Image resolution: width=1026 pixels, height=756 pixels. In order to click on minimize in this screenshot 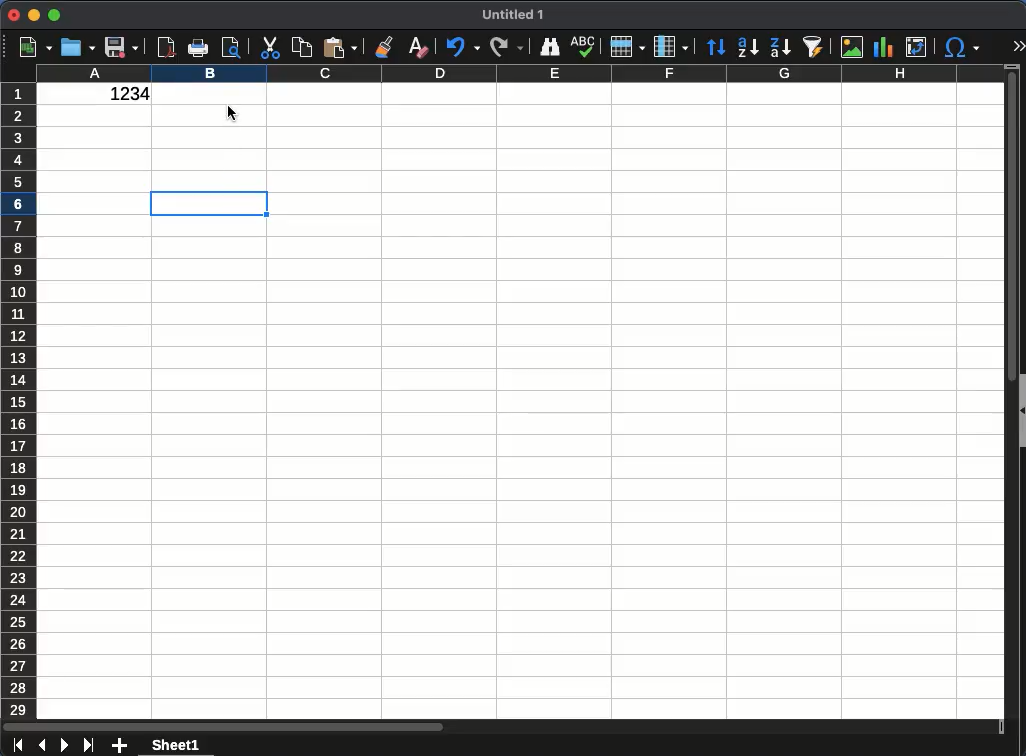, I will do `click(34, 14)`.